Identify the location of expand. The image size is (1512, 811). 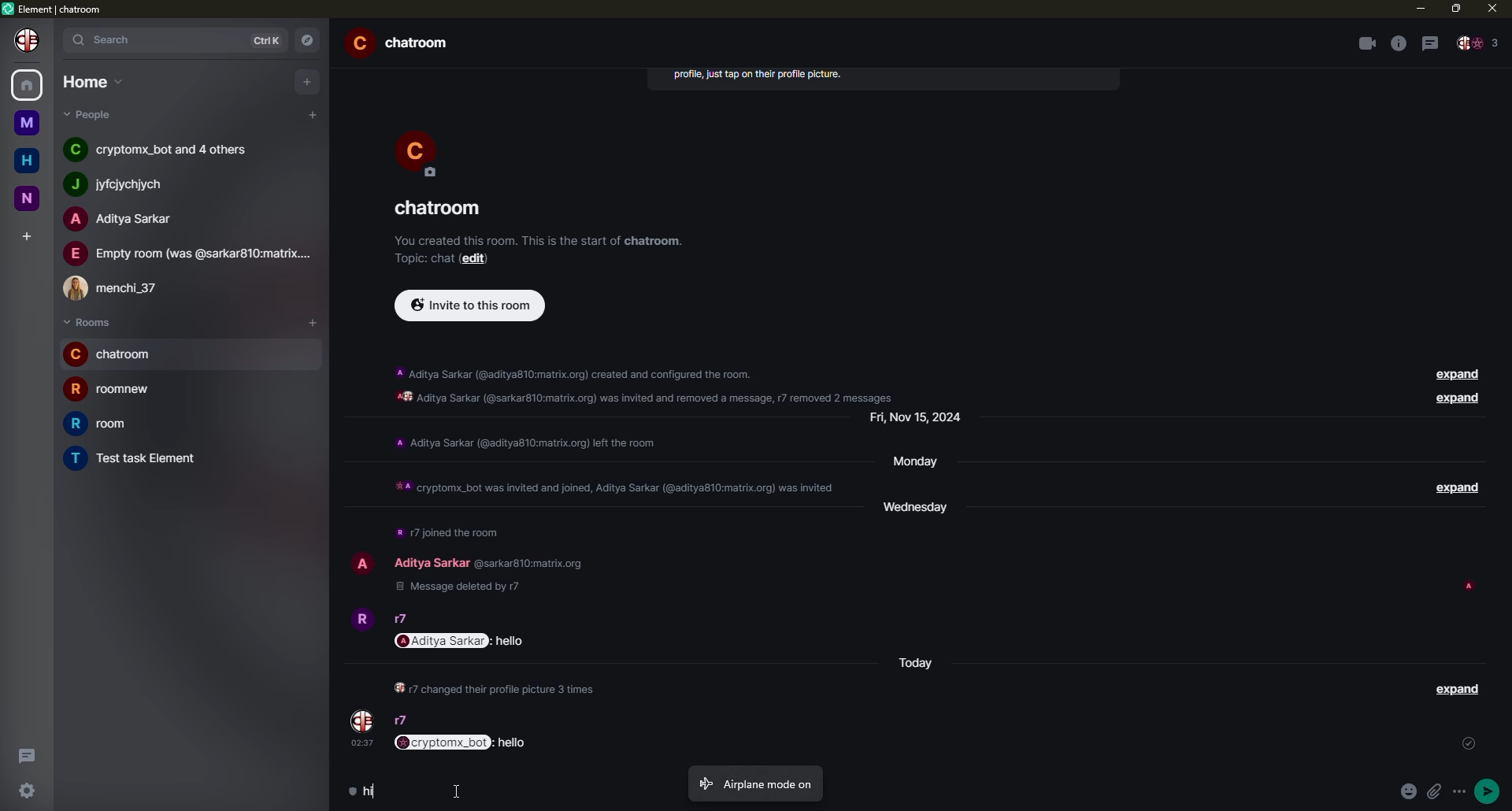
(1461, 488).